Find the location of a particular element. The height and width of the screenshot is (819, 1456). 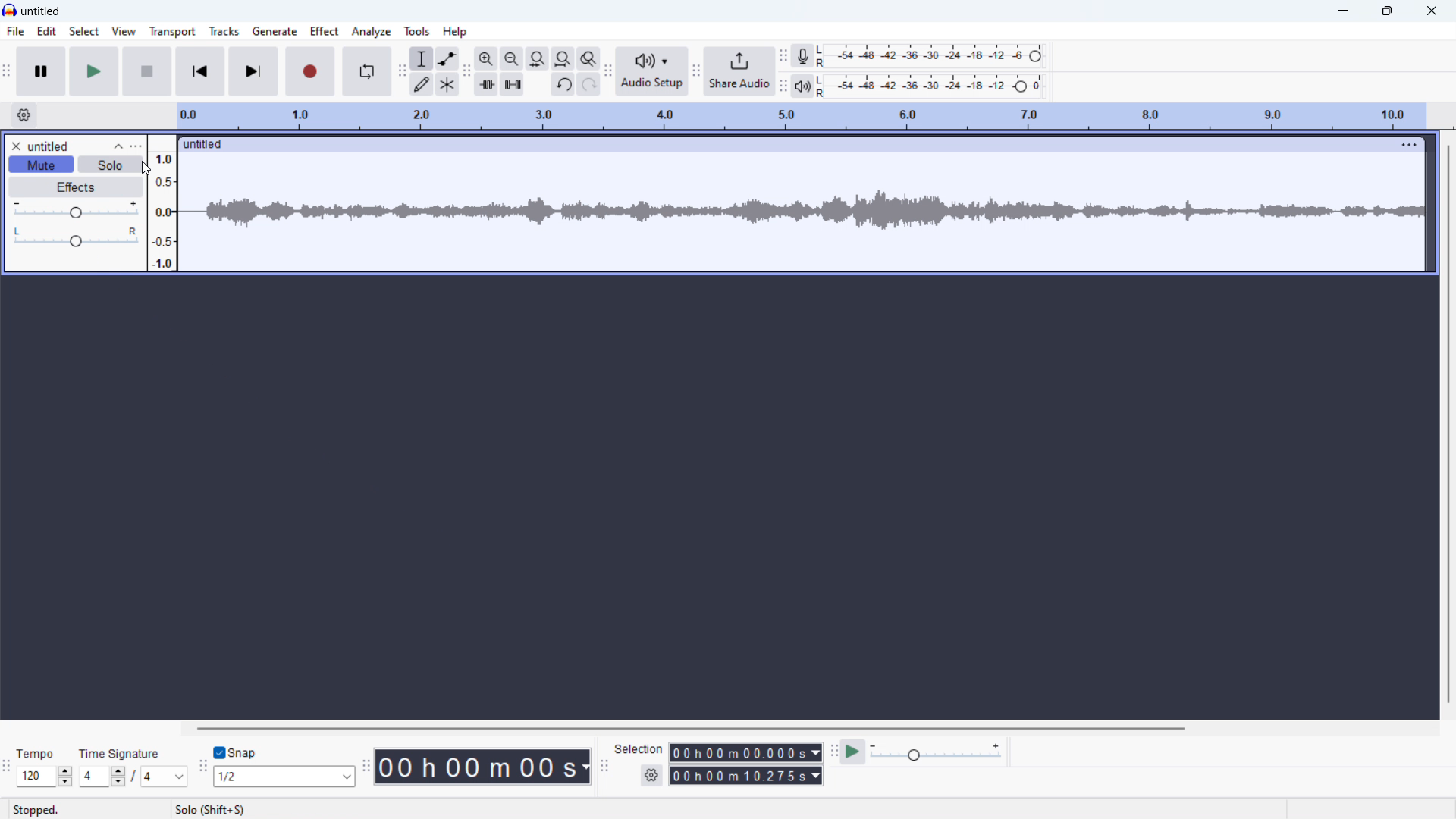

skip to start is located at coordinates (200, 71).